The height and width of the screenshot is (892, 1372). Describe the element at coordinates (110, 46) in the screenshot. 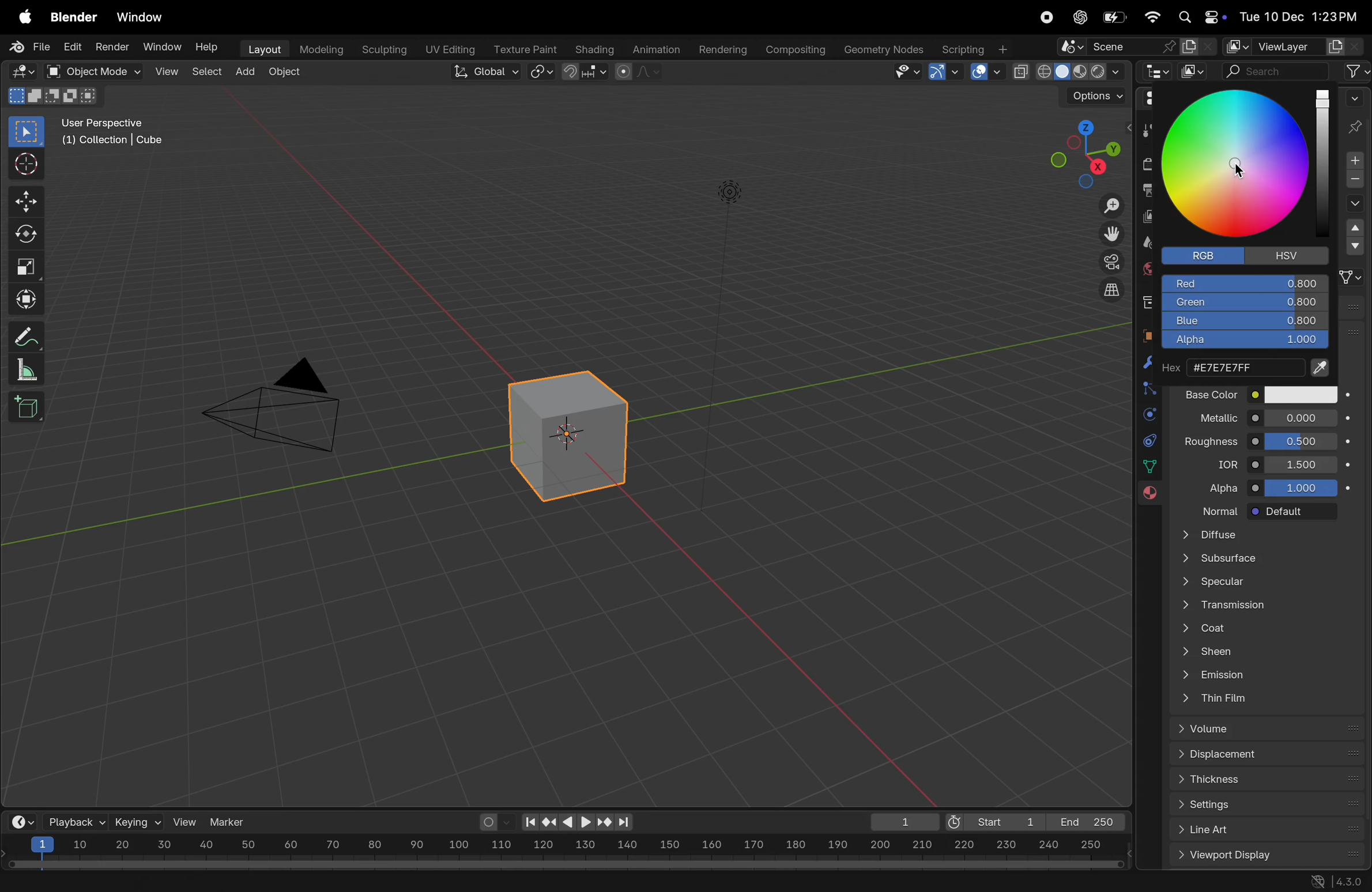

I see `render` at that location.